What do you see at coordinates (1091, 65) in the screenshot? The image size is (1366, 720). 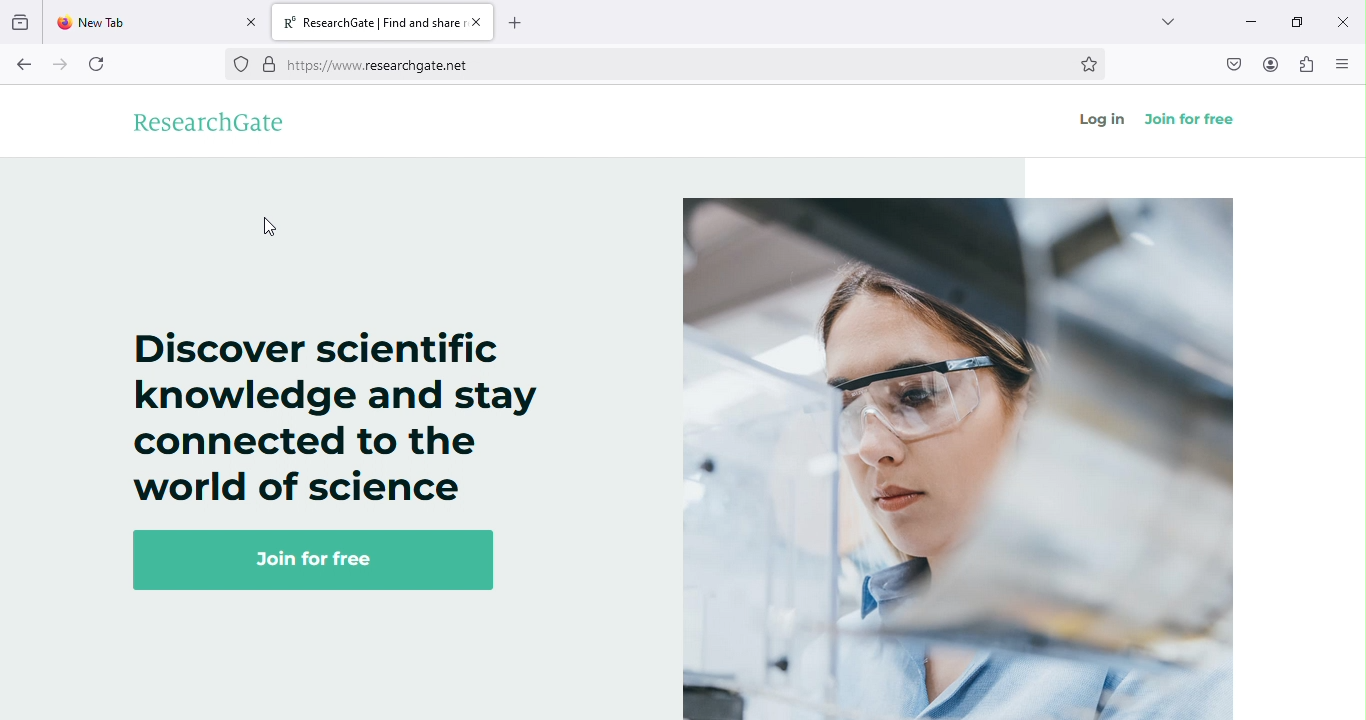 I see `bookmark` at bounding box center [1091, 65].